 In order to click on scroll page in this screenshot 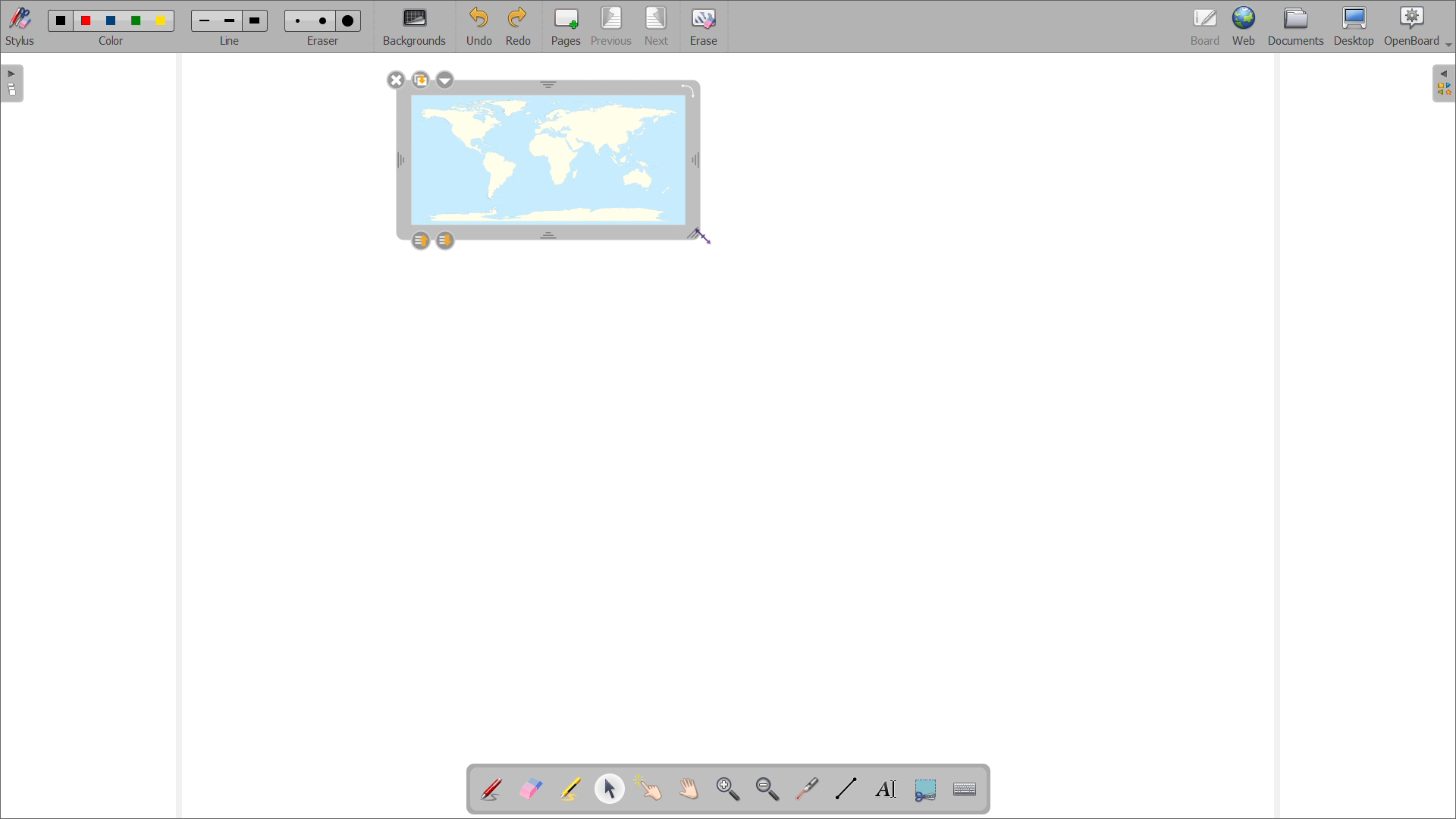, I will do `click(689, 788)`.